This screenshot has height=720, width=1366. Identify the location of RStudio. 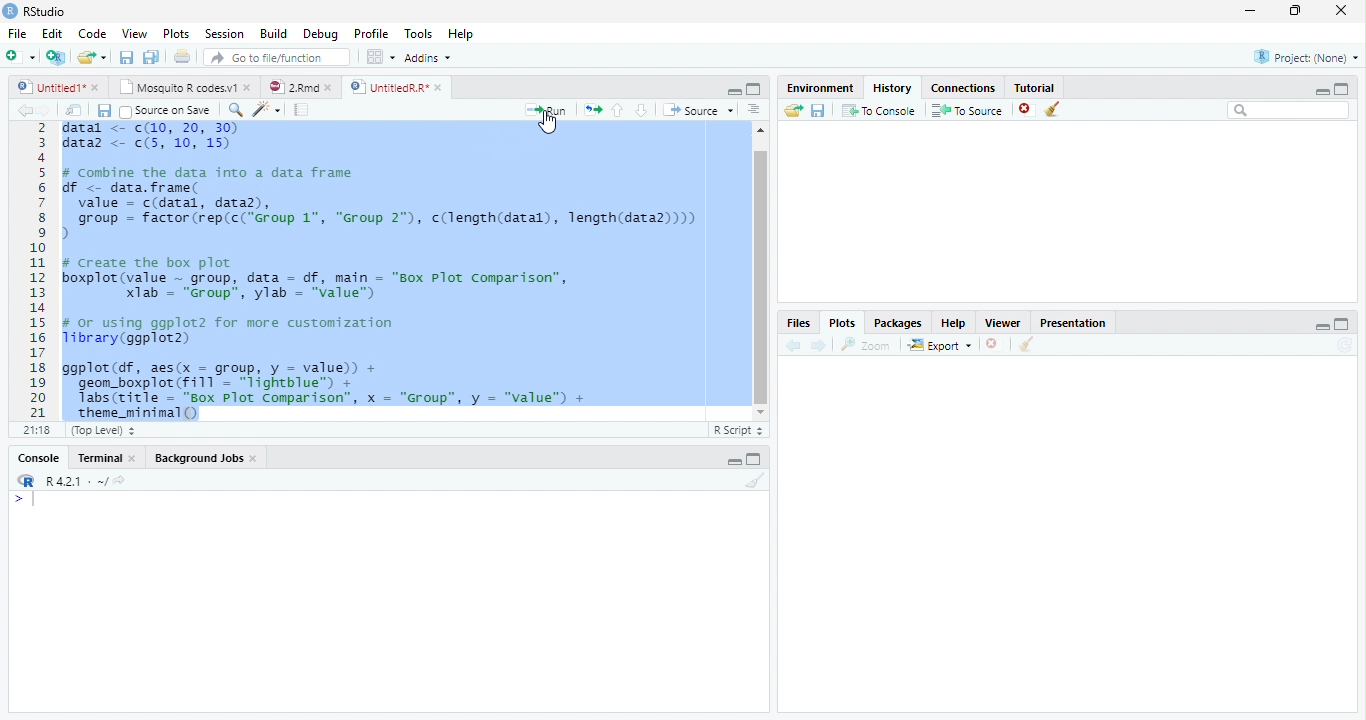
(35, 12).